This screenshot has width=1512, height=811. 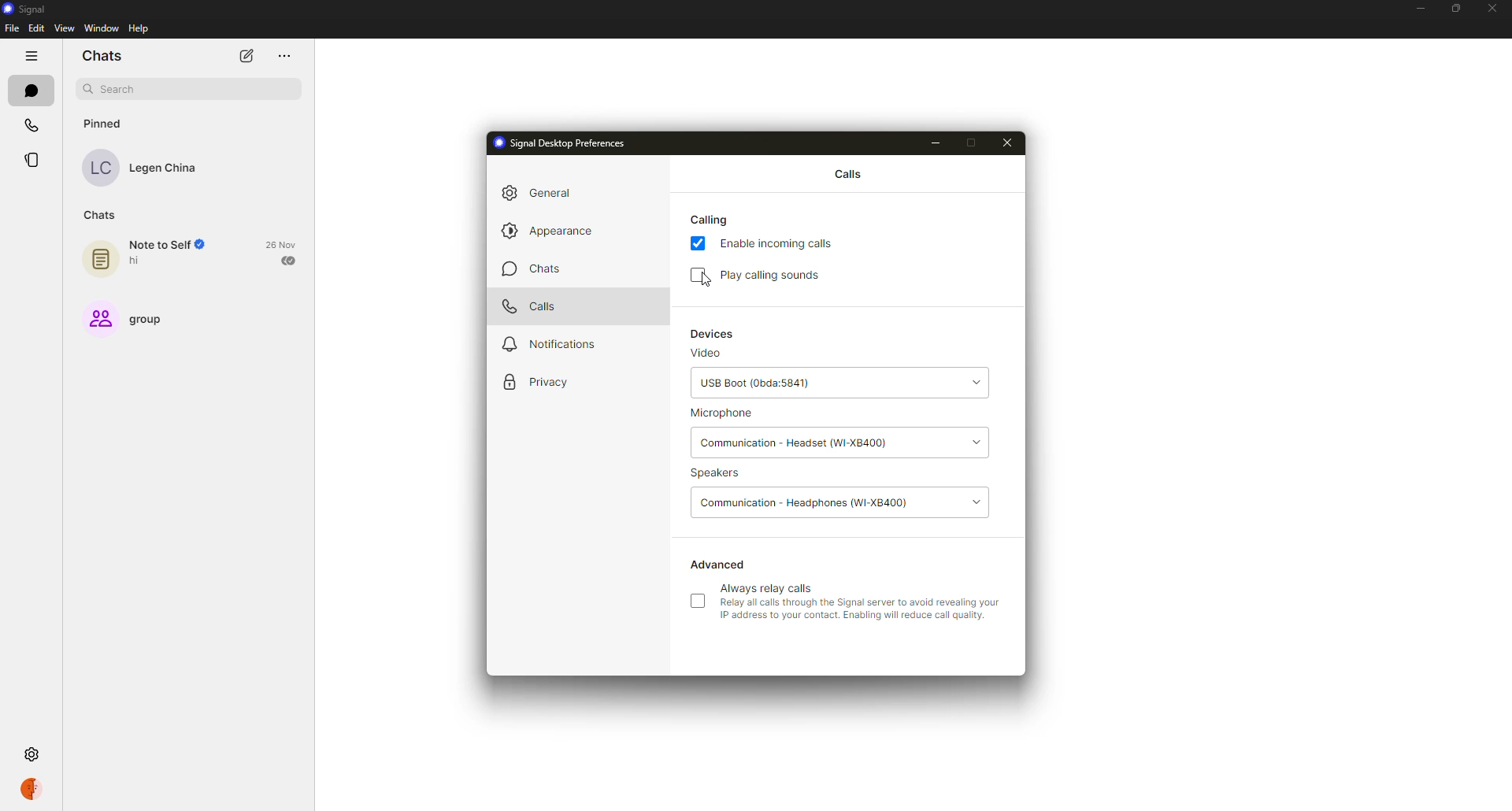 I want to click on hi, so click(x=139, y=261).